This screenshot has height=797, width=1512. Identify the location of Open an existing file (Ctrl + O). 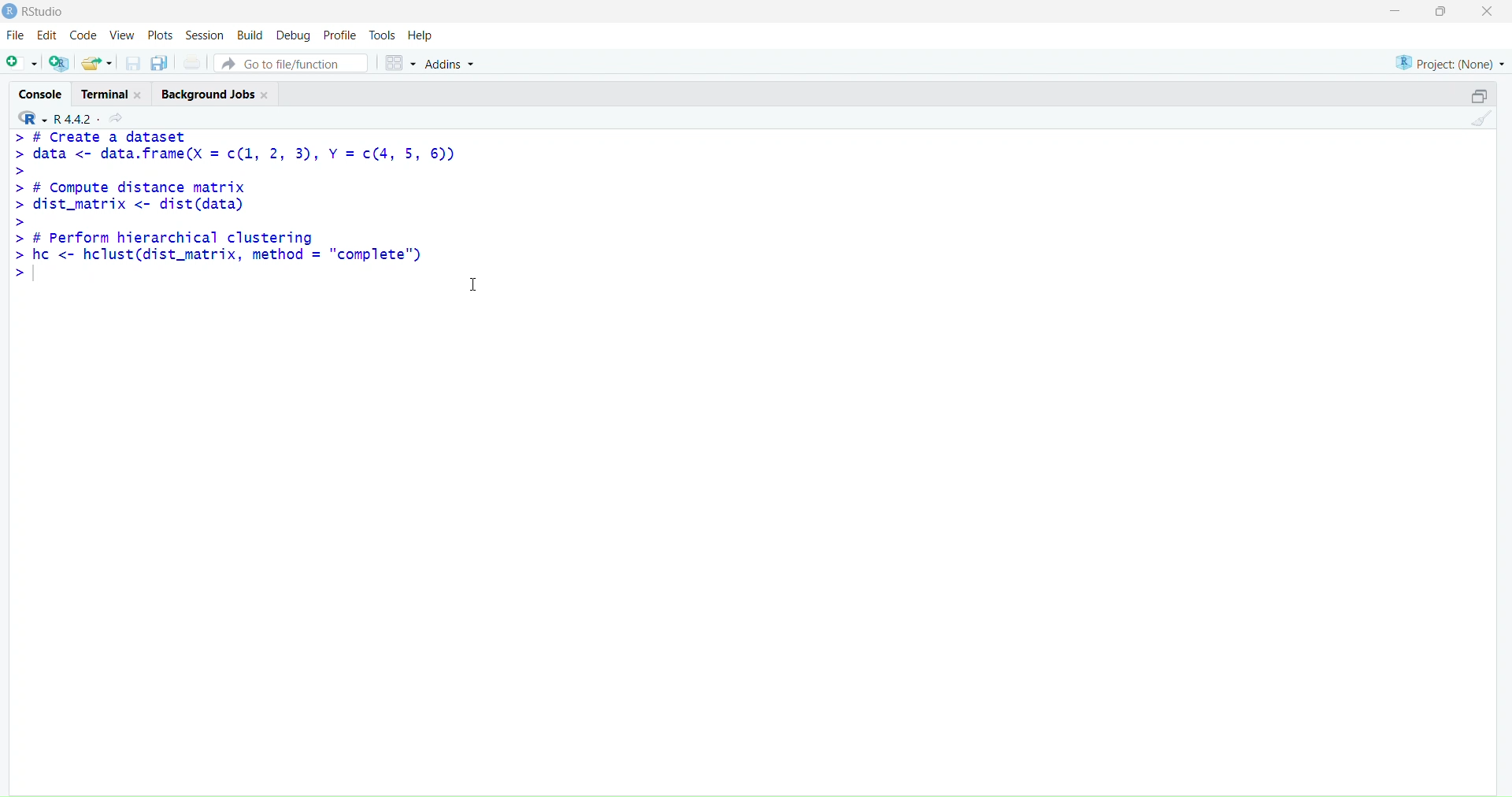
(97, 61).